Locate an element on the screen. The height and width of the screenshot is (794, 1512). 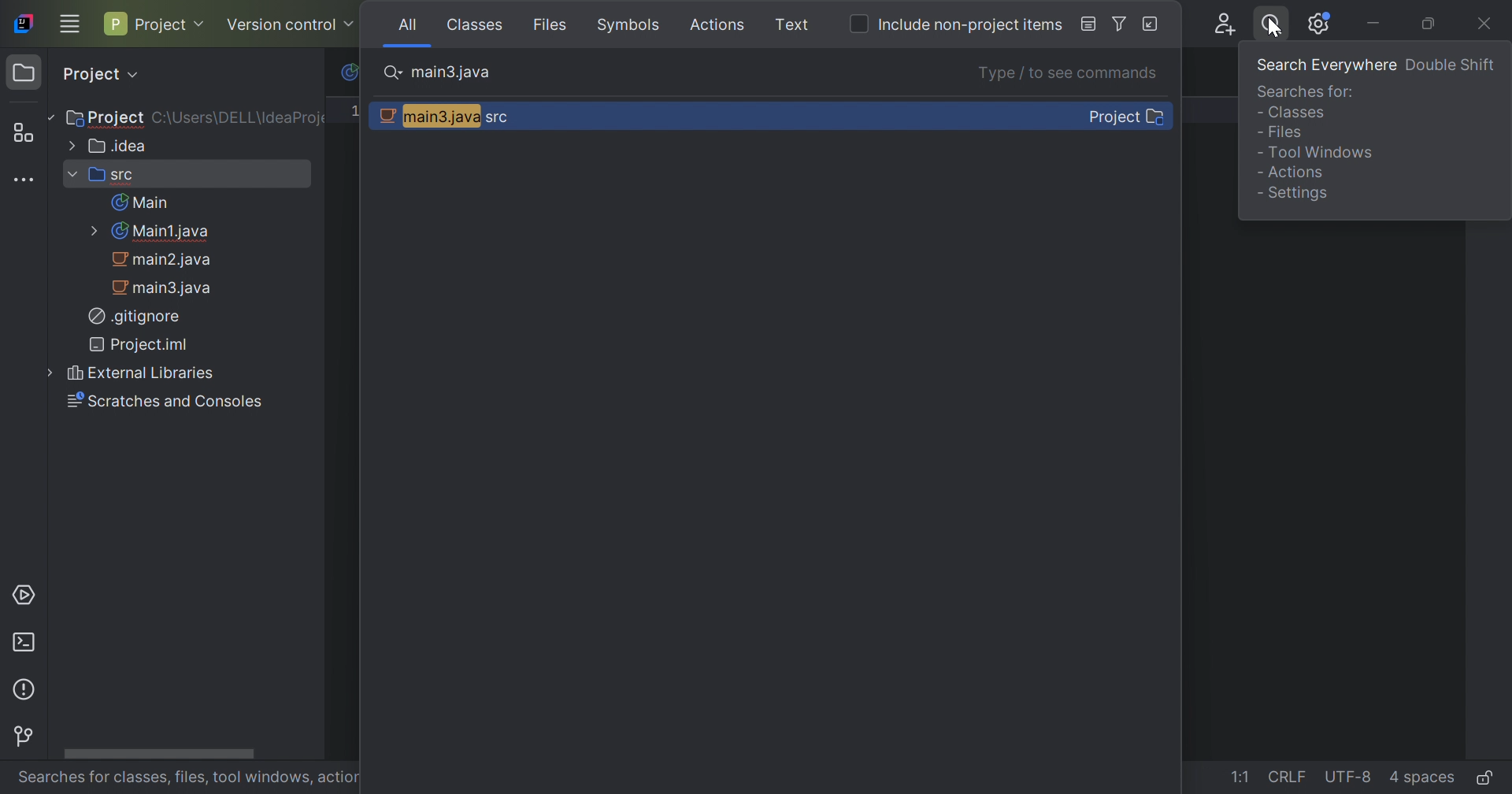
Project is located at coordinates (156, 25).